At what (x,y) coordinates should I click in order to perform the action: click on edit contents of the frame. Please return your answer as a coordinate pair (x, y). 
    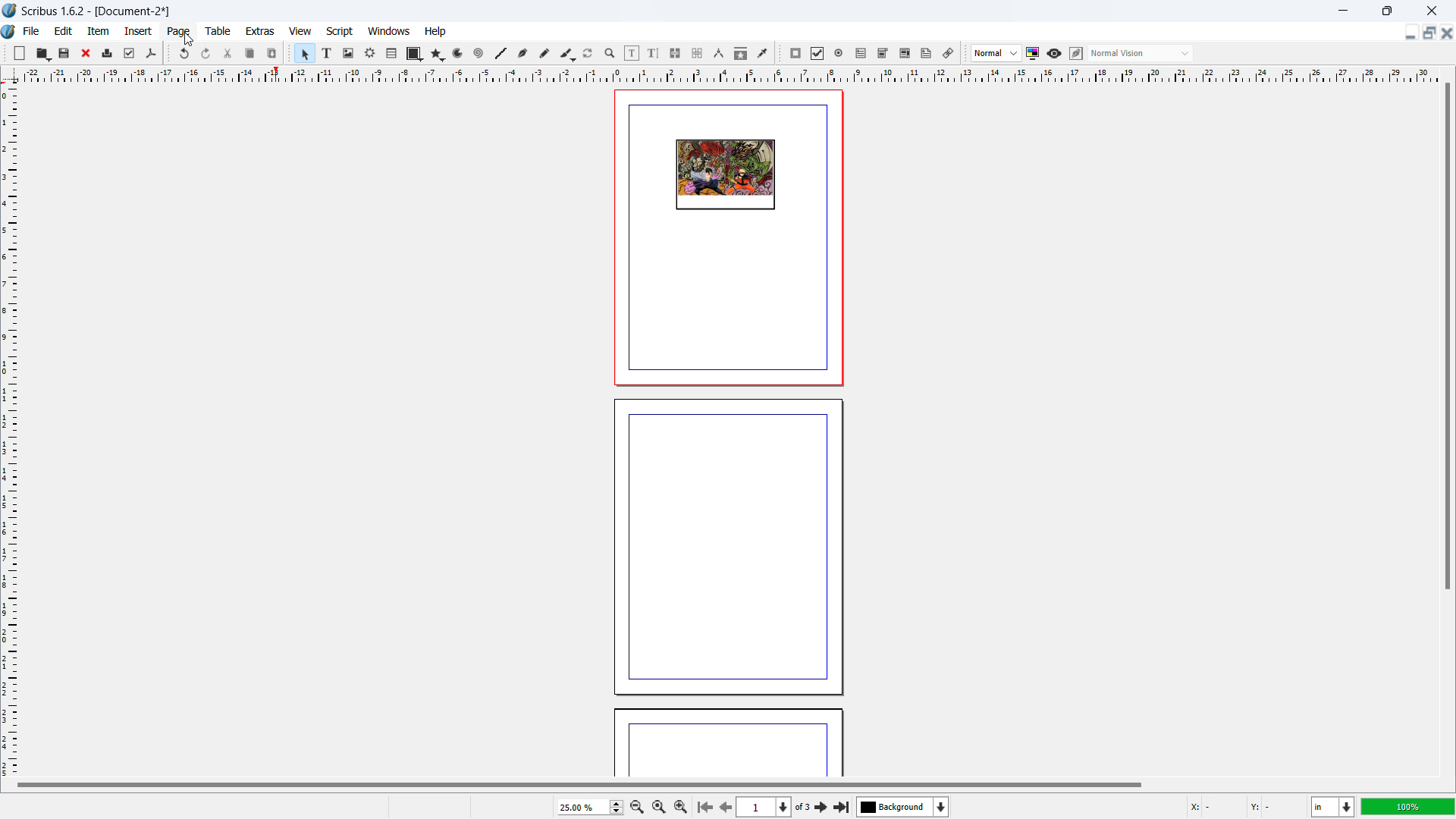
    Looking at the image, I should click on (632, 54).